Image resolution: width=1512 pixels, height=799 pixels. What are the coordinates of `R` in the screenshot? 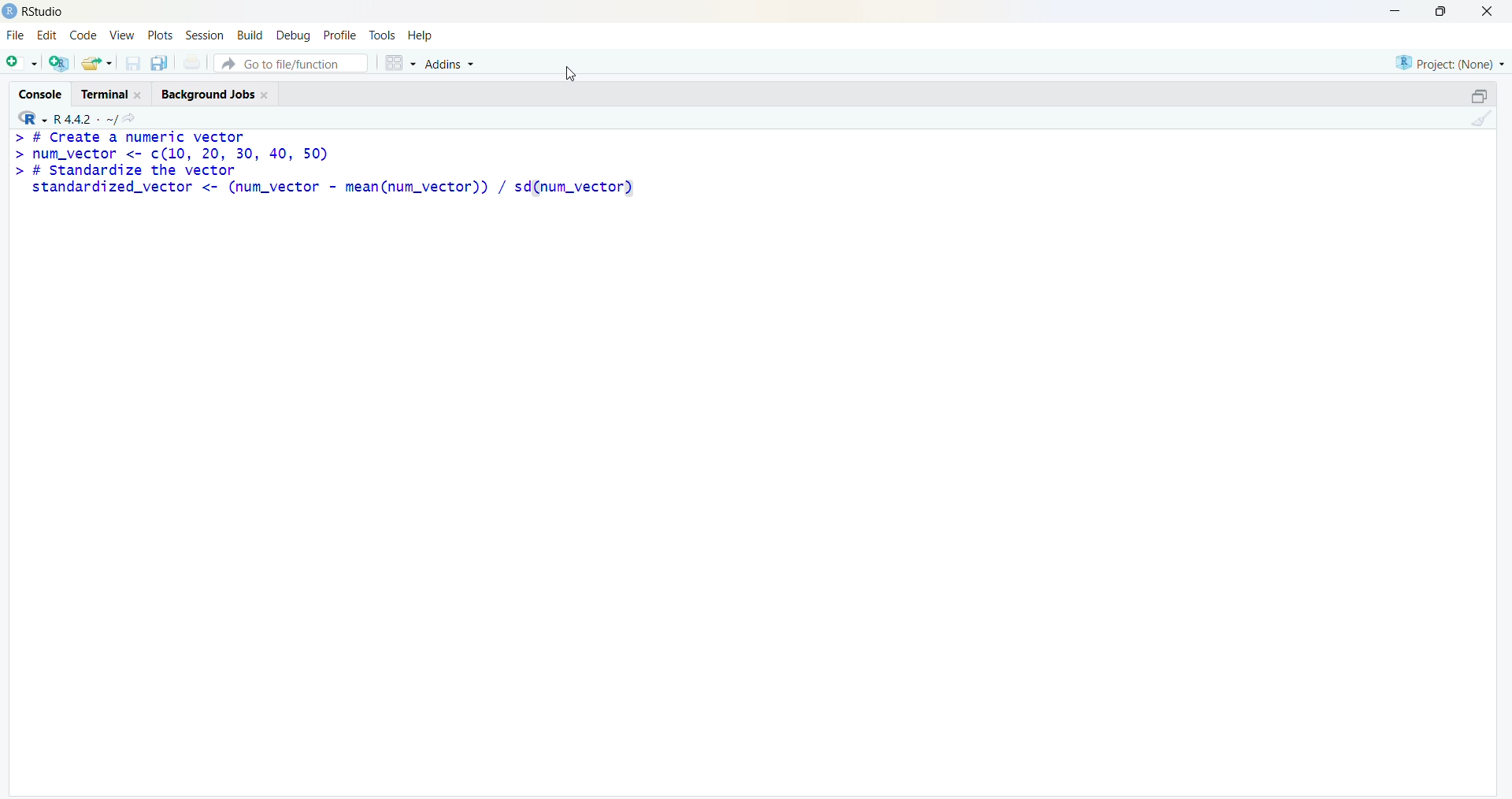 It's located at (31, 118).